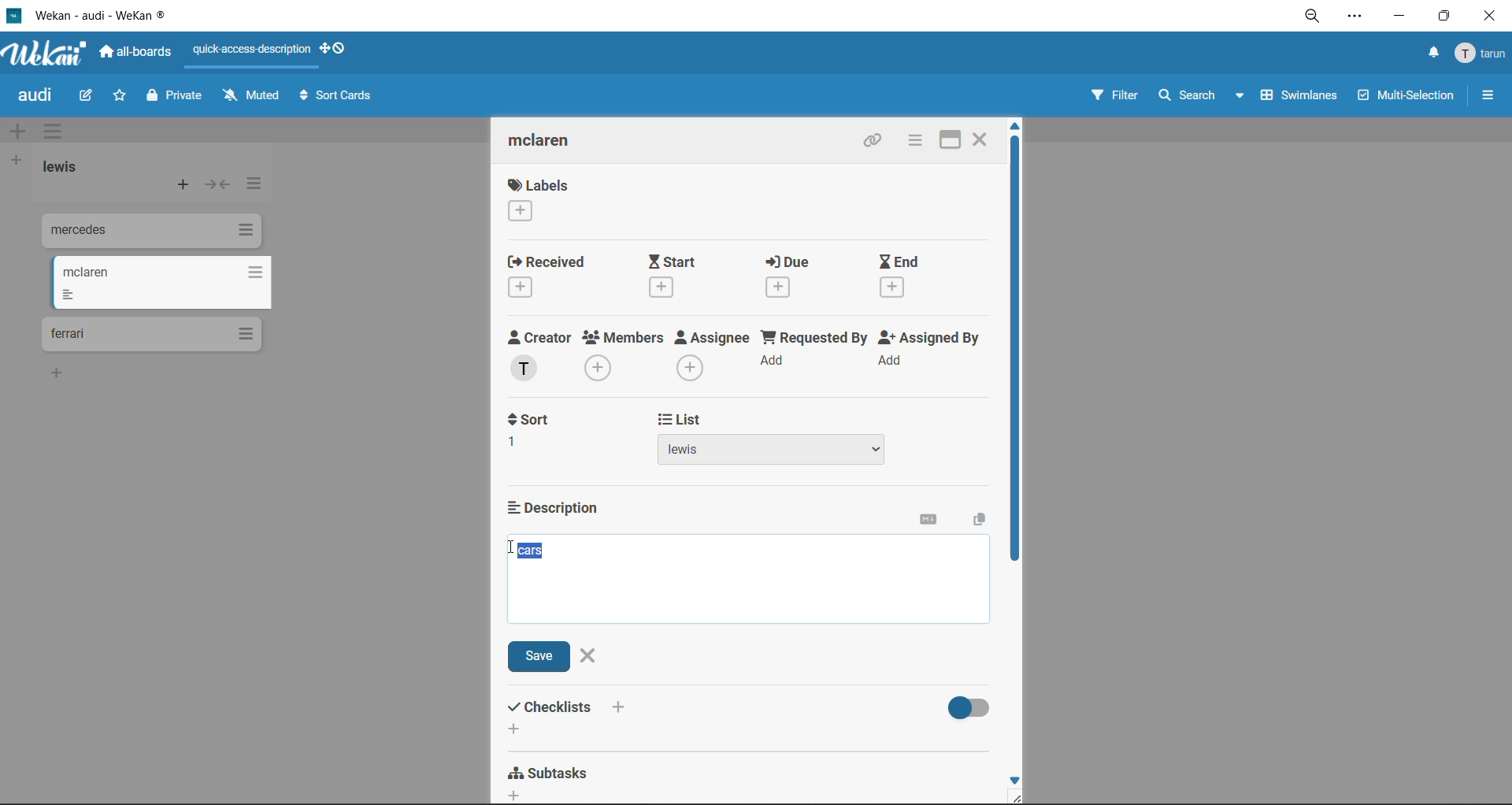  Describe the element at coordinates (67, 169) in the screenshot. I see `list title` at that location.